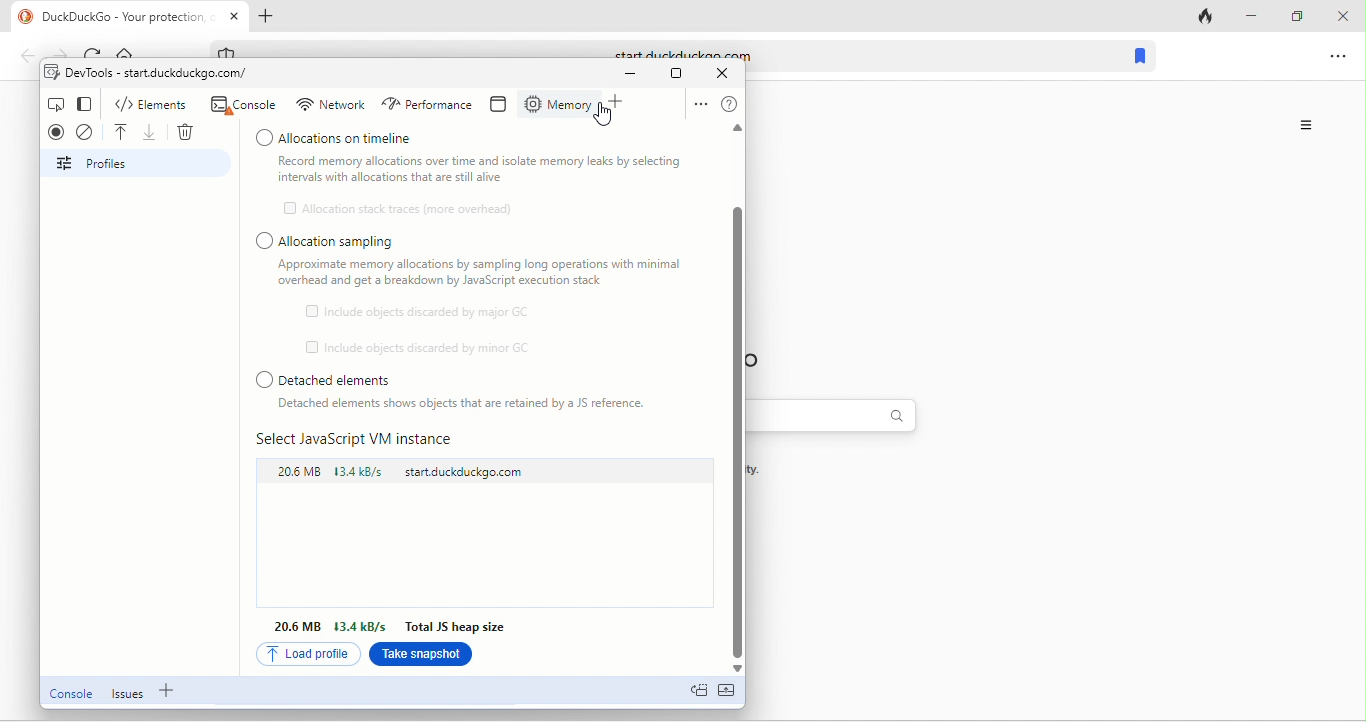 This screenshot has height=722, width=1366. I want to click on close, so click(1341, 17).